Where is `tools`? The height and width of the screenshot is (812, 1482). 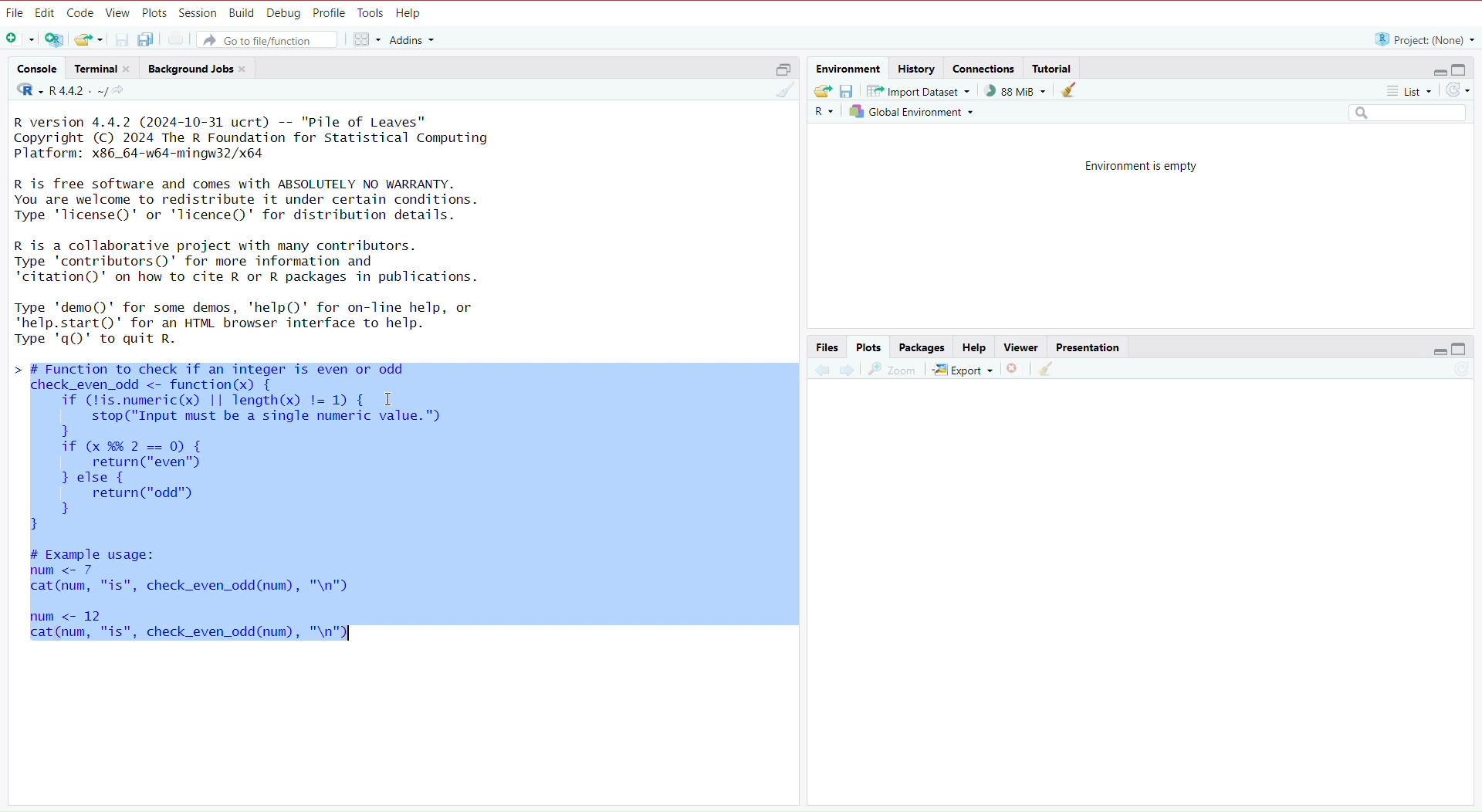
tools is located at coordinates (371, 13).